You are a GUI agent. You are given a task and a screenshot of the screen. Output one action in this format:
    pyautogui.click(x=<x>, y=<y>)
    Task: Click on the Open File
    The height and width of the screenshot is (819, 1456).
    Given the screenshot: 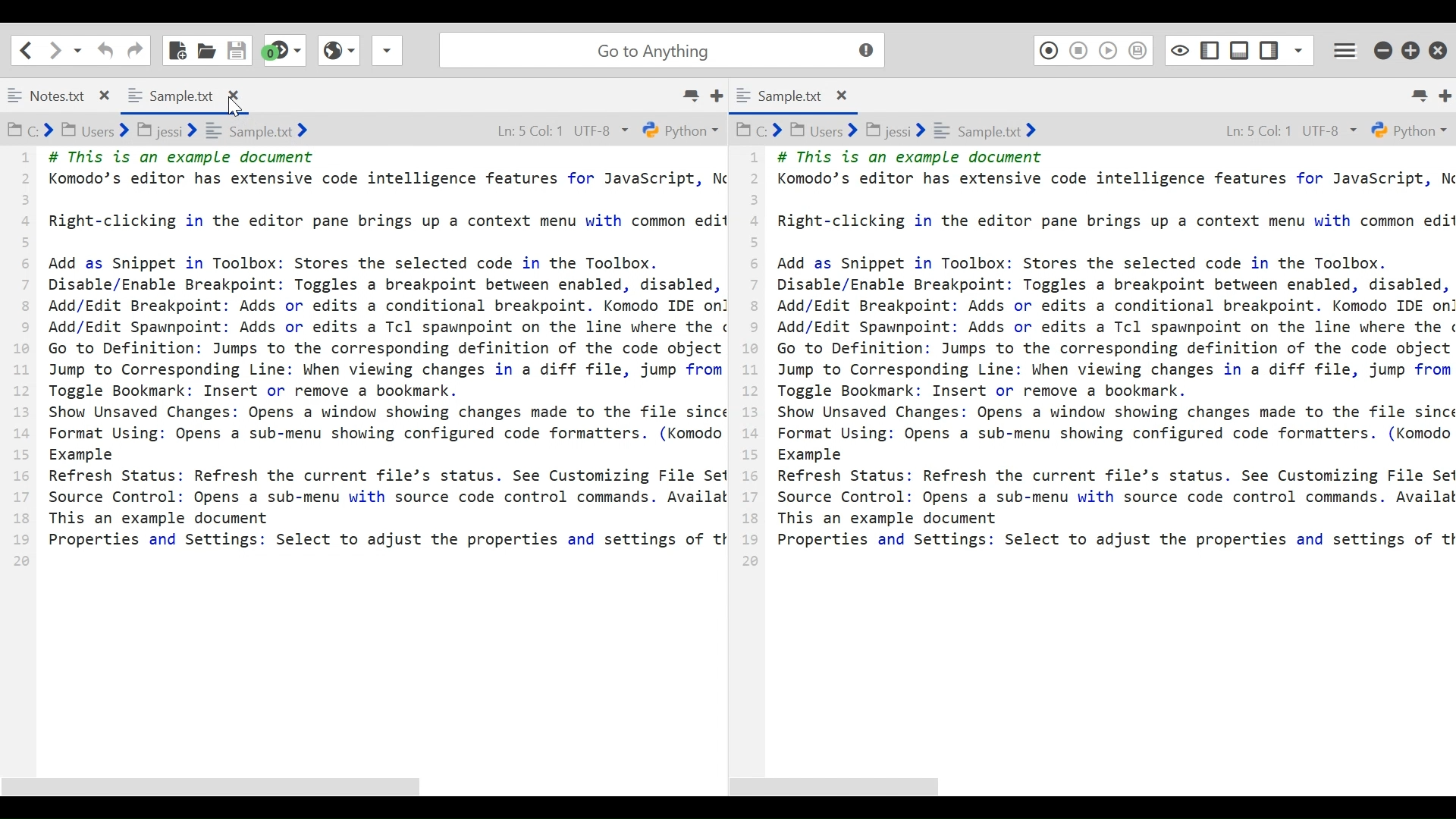 What is the action you would take?
    pyautogui.click(x=206, y=49)
    